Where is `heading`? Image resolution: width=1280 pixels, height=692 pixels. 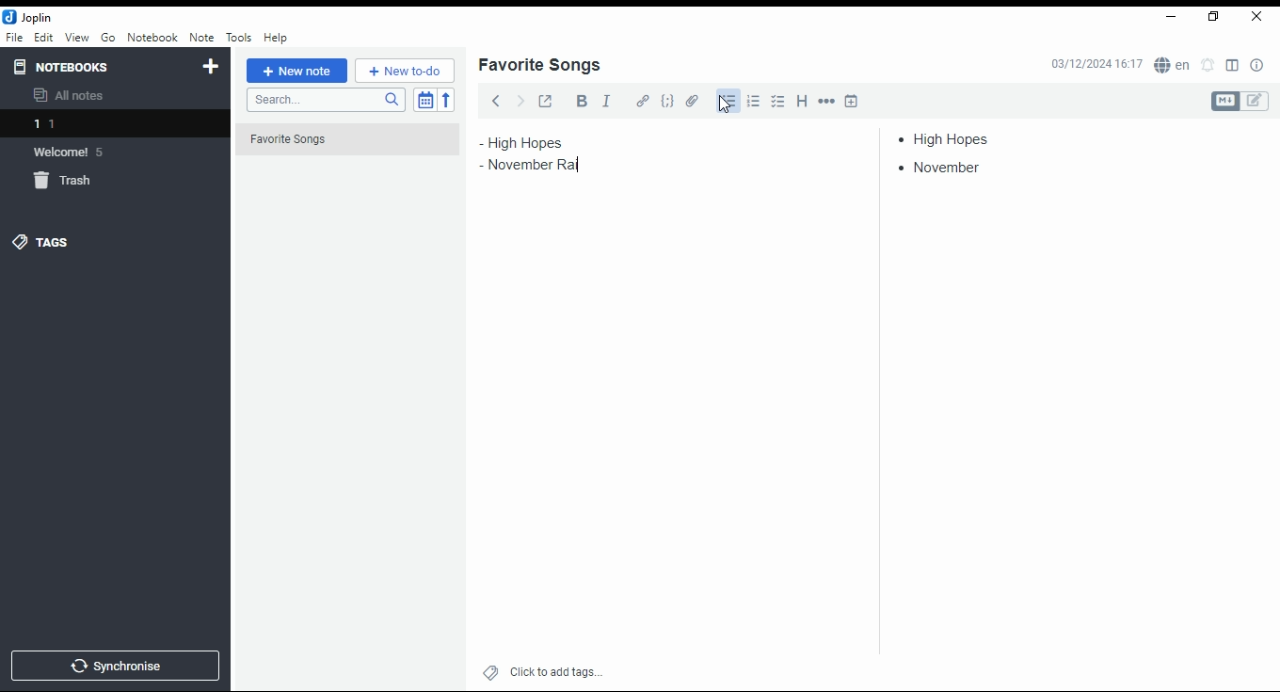
heading is located at coordinates (803, 99).